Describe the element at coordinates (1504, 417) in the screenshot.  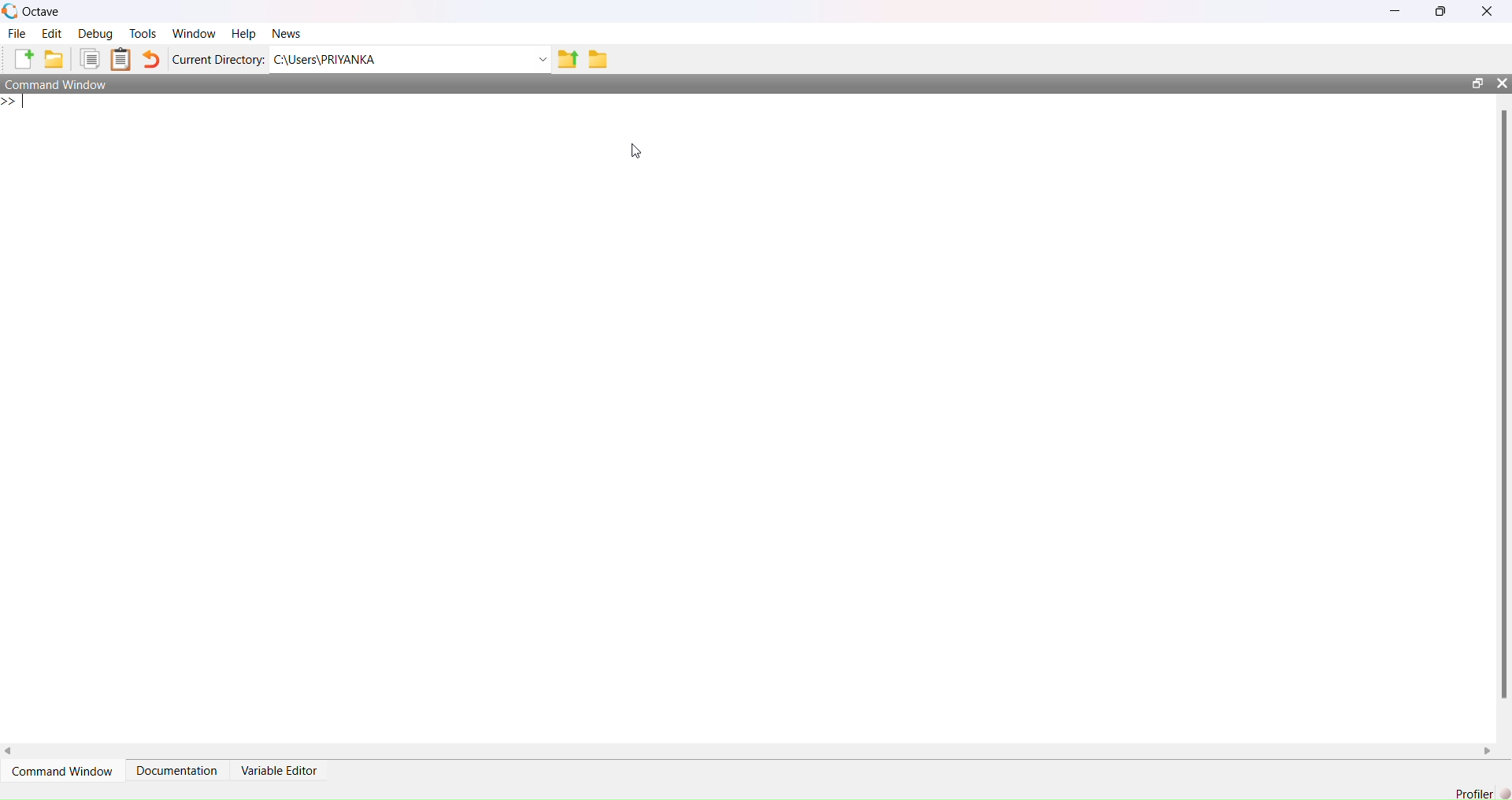
I see `vertical scroll bar` at that location.